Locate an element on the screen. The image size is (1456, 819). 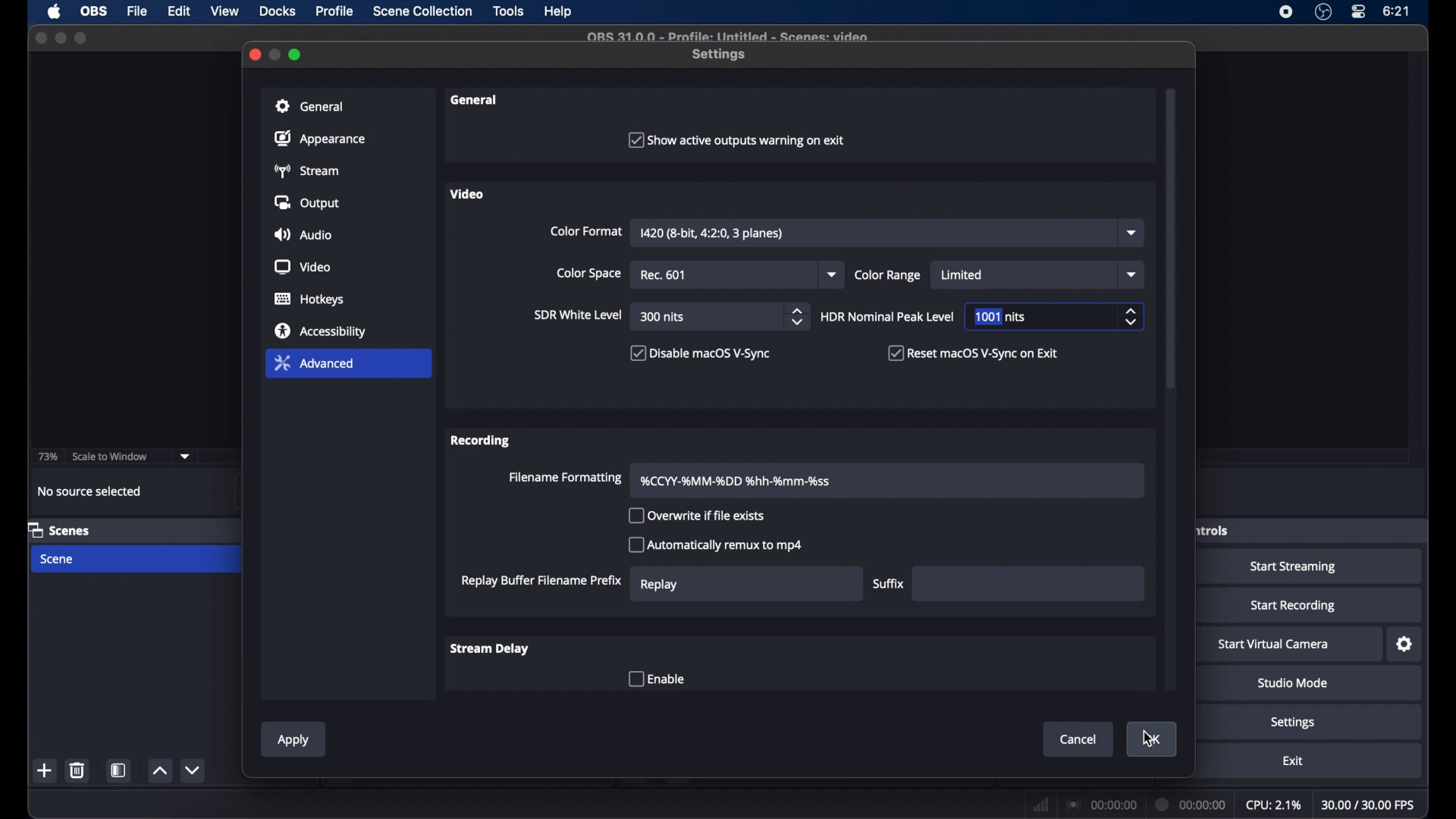
rec 602 is located at coordinates (666, 275).